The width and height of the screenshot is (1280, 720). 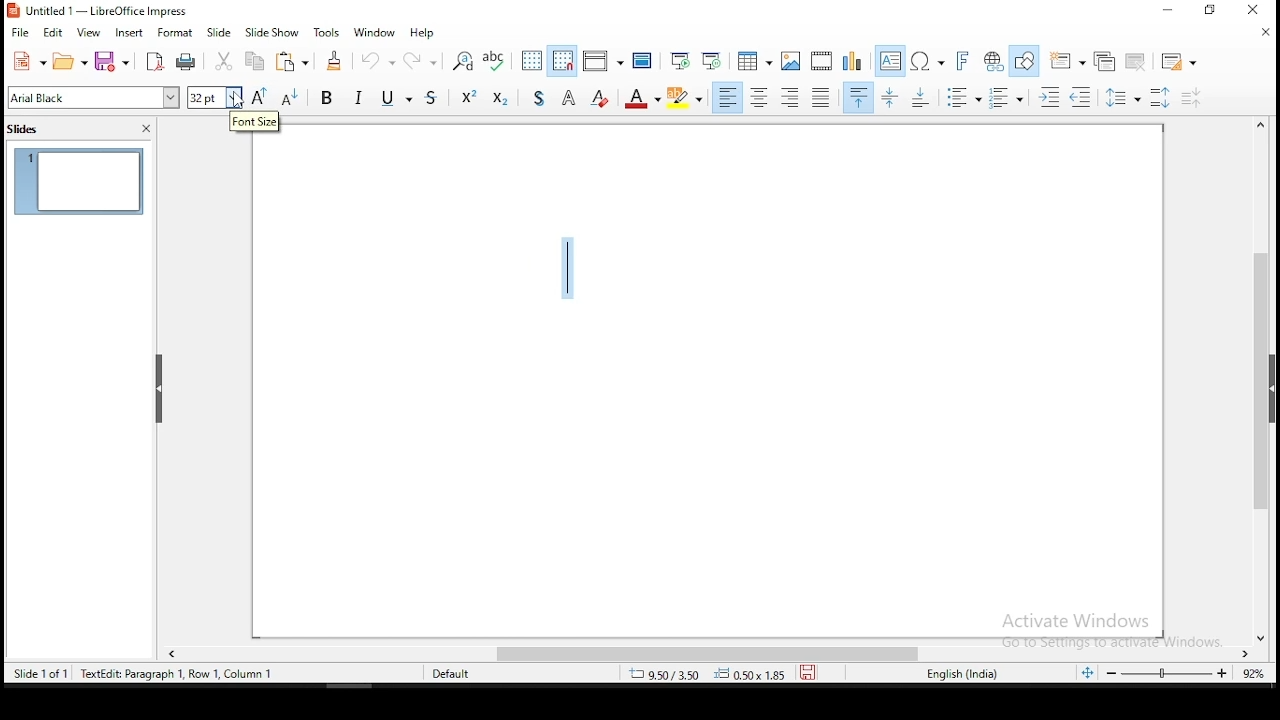 What do you see at coordinates (79, 181) in the screenshot?
I see `slide 1` at bounding box center [79, 181].